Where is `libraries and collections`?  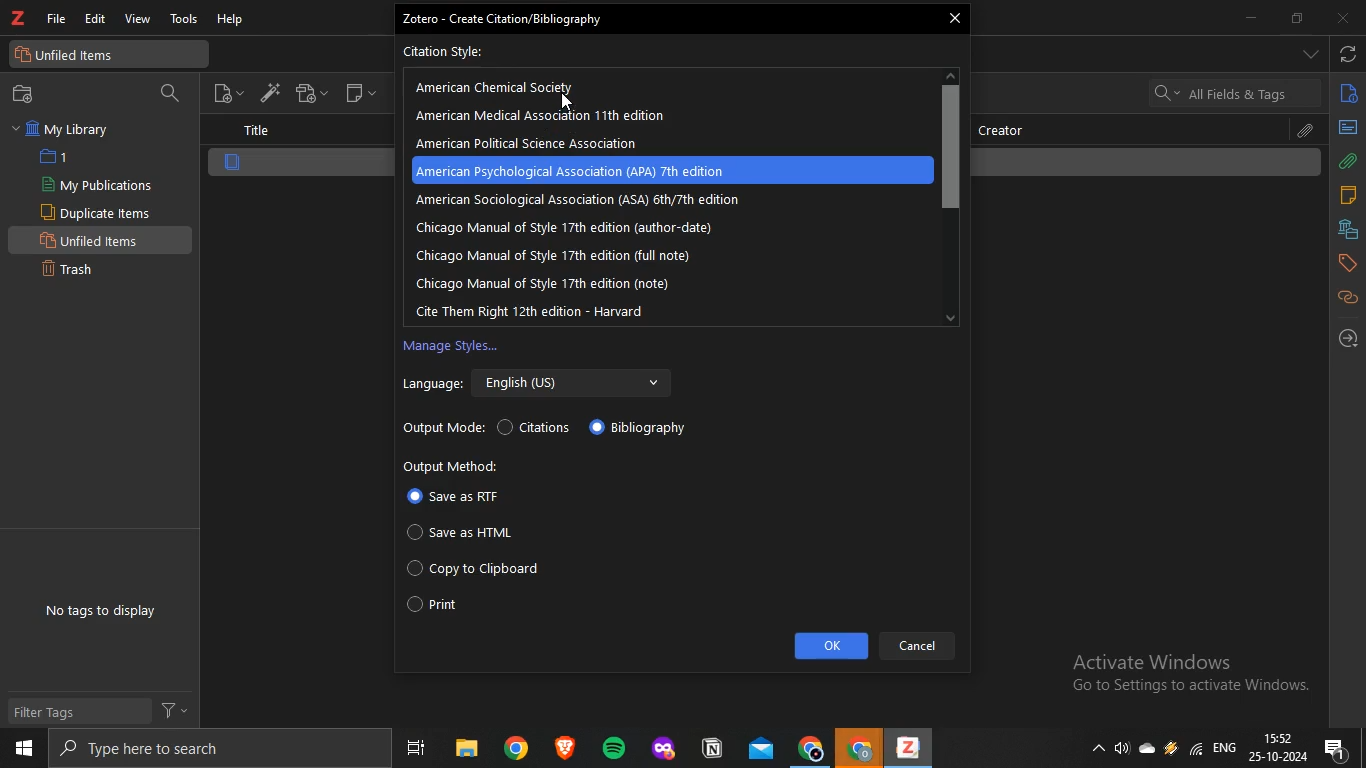 libraries and collections is located at coordinates (1348, 228).